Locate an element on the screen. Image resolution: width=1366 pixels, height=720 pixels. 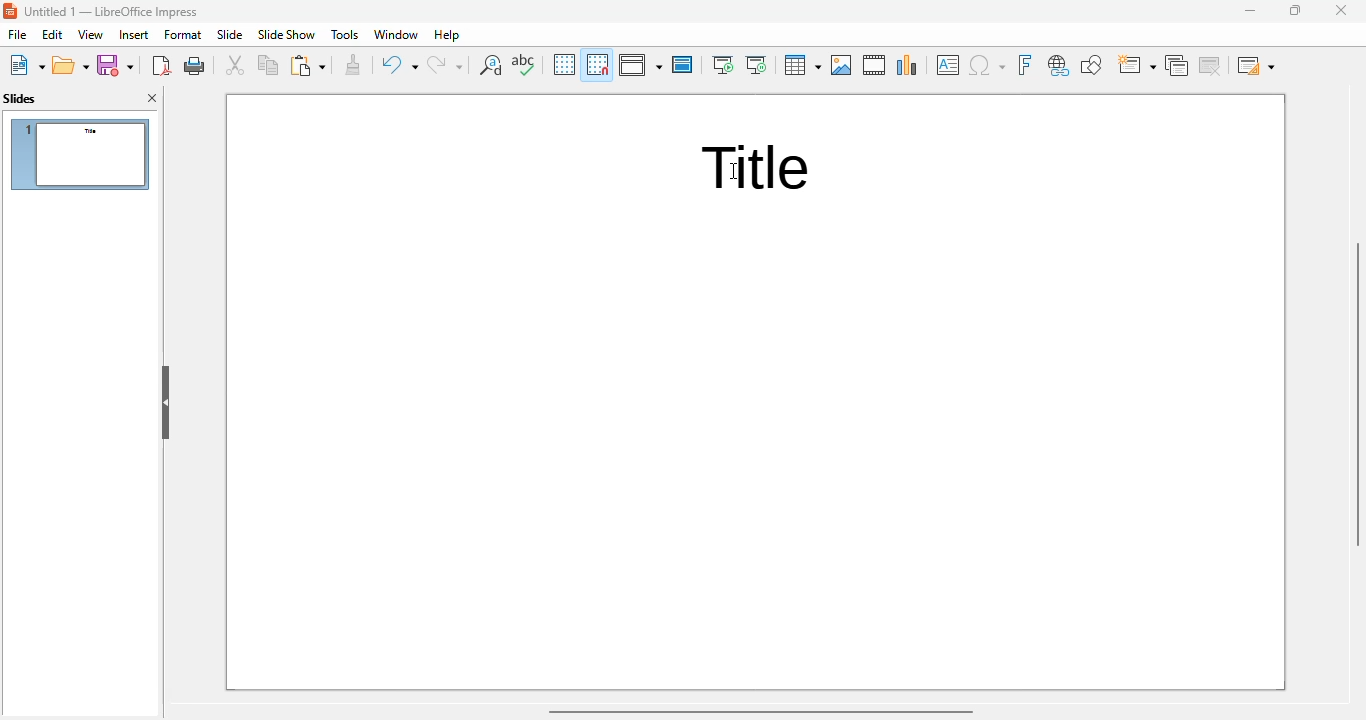
open is located at coordinates (71, 65).